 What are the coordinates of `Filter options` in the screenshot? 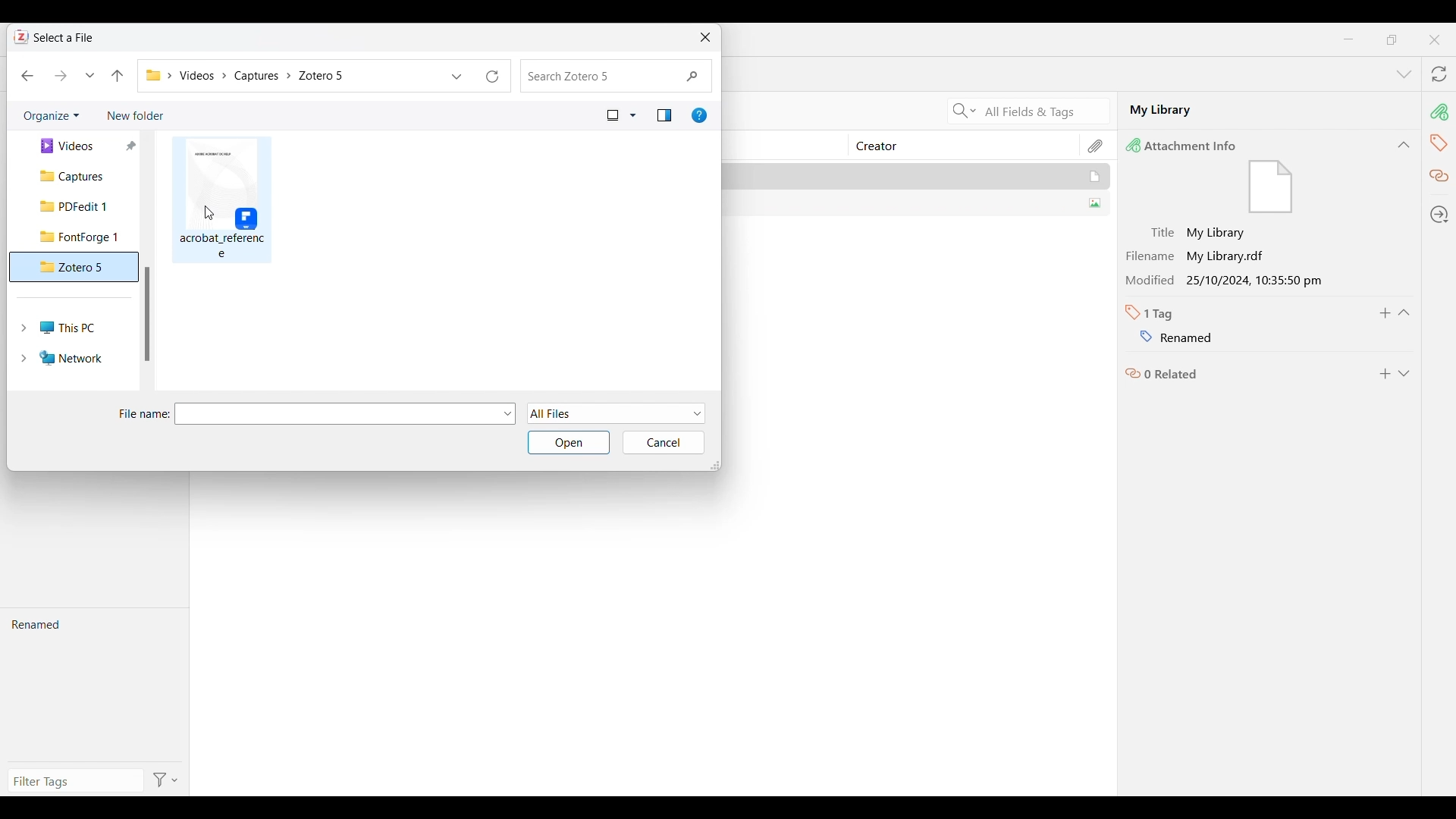 It's located at (166, 779).